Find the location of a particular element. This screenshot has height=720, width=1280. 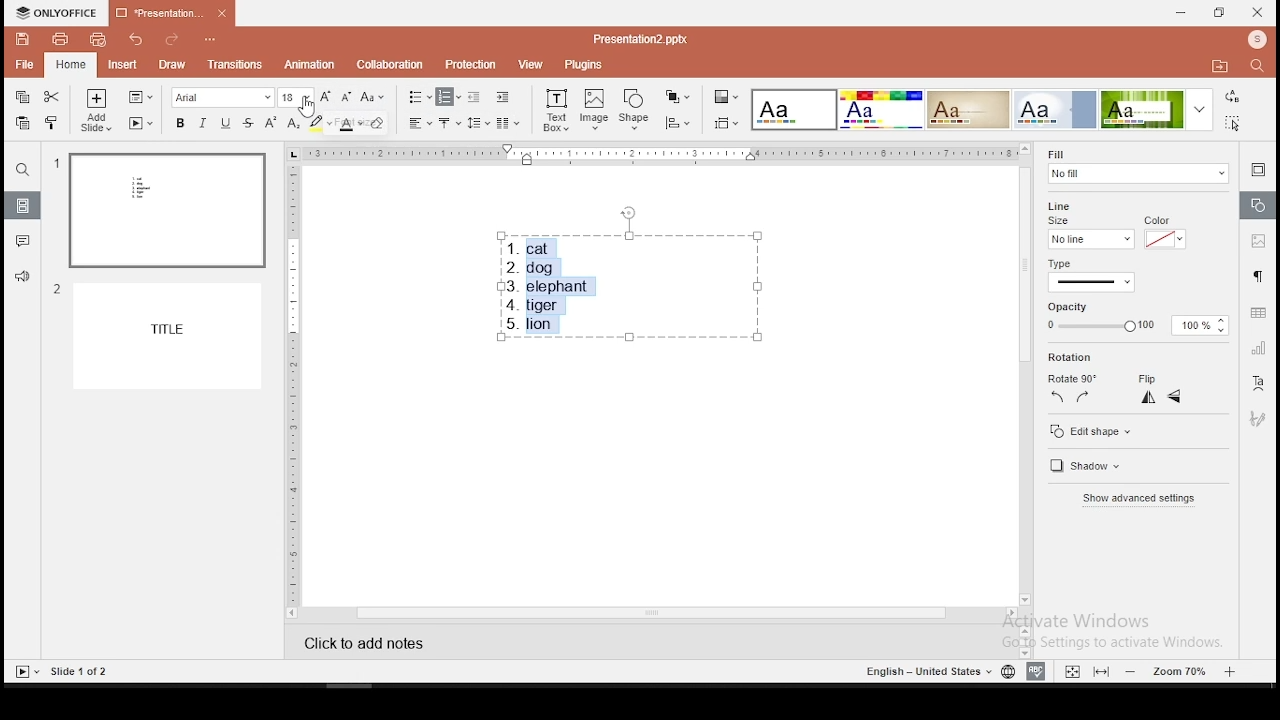

select all is located at coordinates (1234, 125).